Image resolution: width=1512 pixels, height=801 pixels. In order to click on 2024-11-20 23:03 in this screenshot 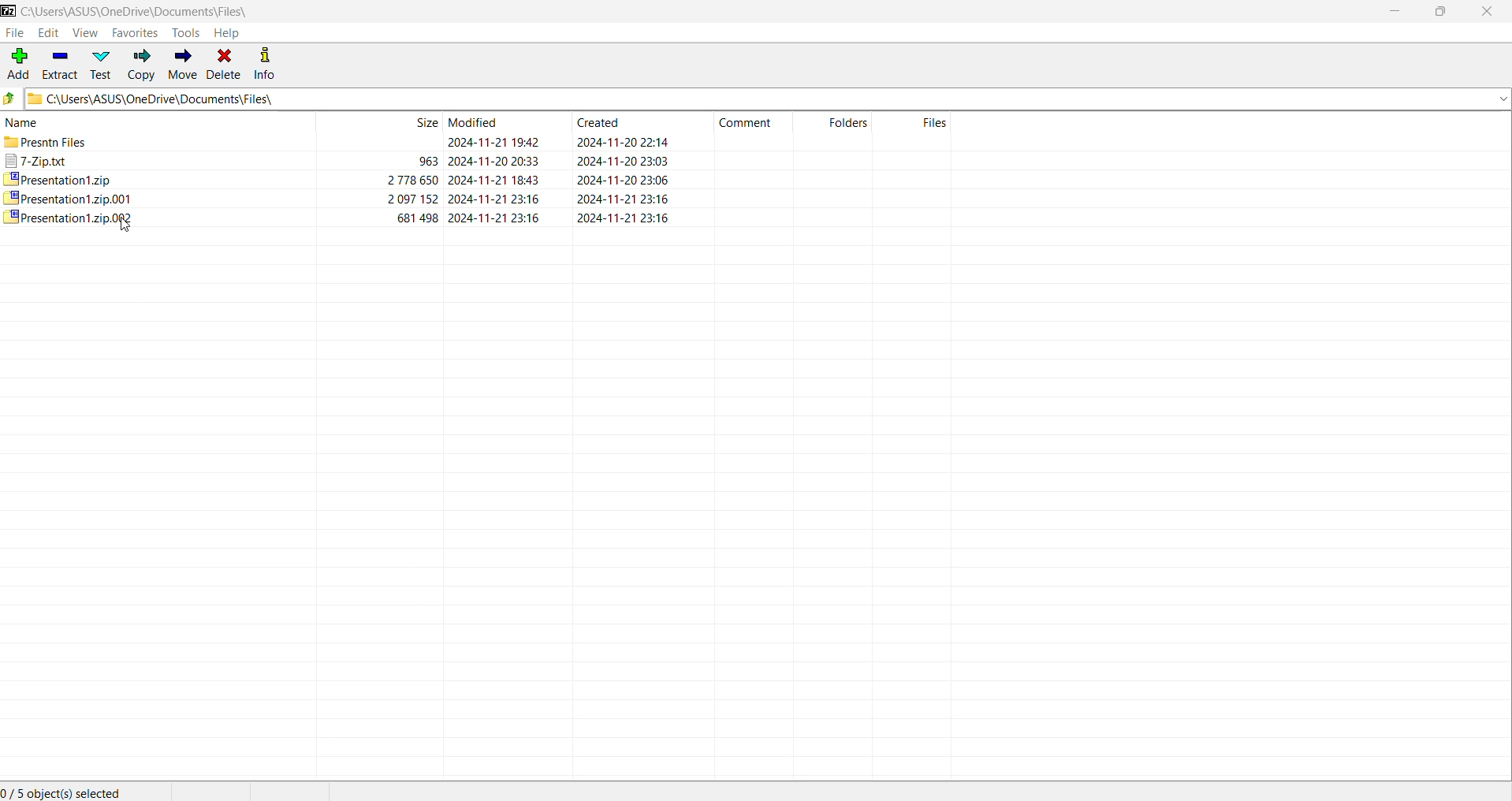, I will do `click(624, 163)`.